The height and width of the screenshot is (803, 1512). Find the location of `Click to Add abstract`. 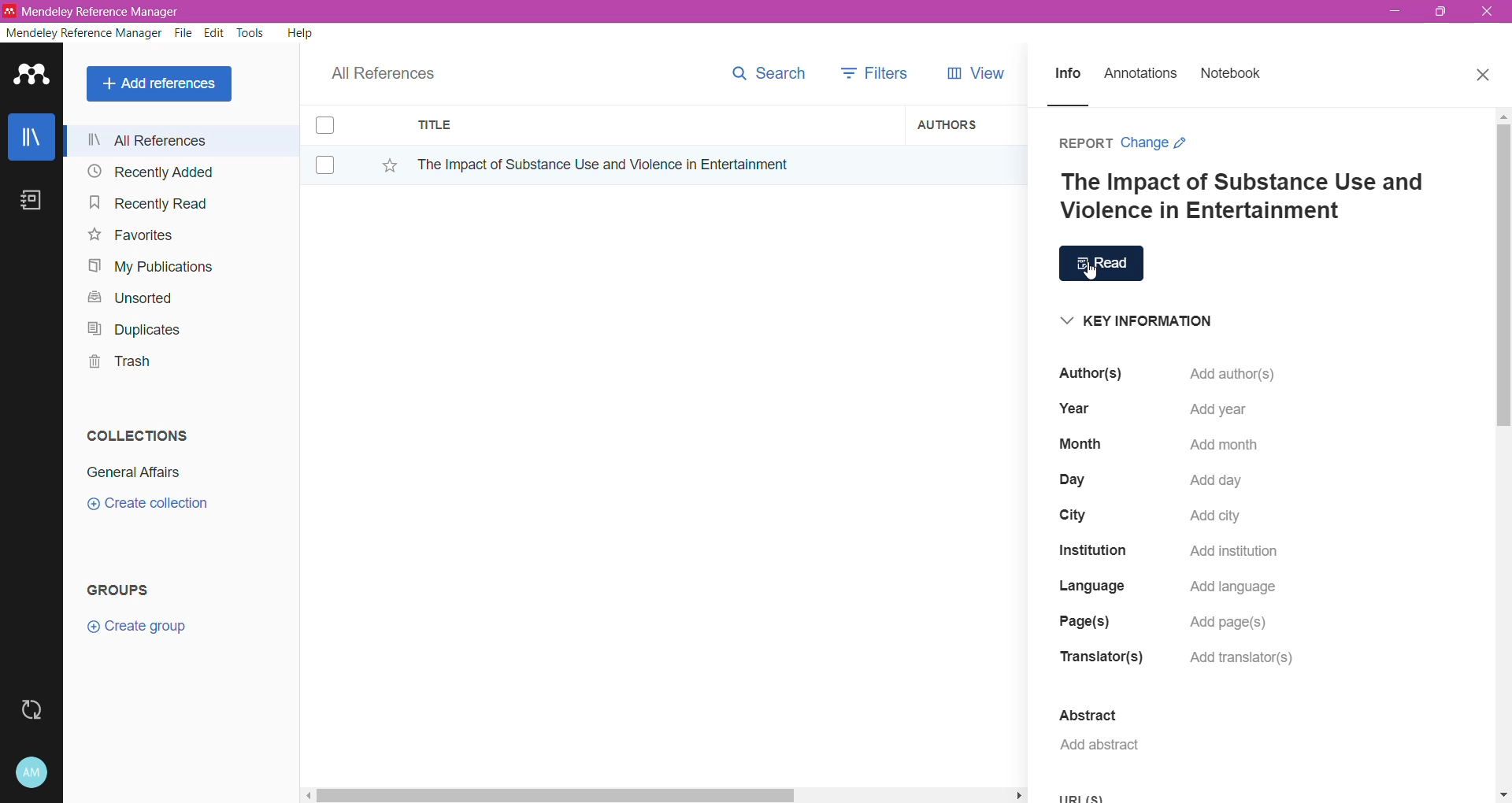

Click to Add abstract is located at coordinates (1106, 747).